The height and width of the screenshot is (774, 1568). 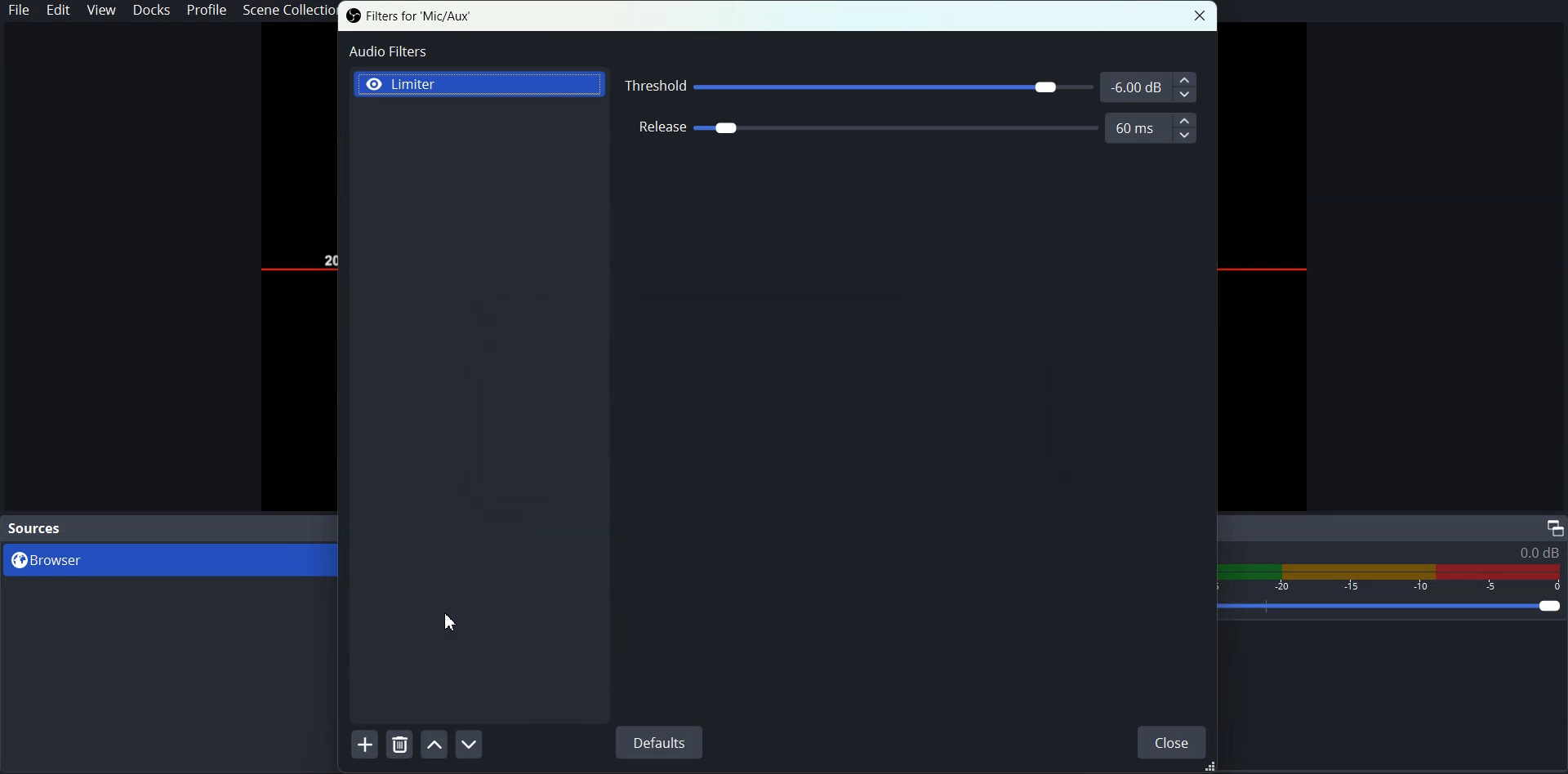 What do you see at coordinates (60, 11) in the screenshot?
I see `Edit` at bounding box center [60, 11].